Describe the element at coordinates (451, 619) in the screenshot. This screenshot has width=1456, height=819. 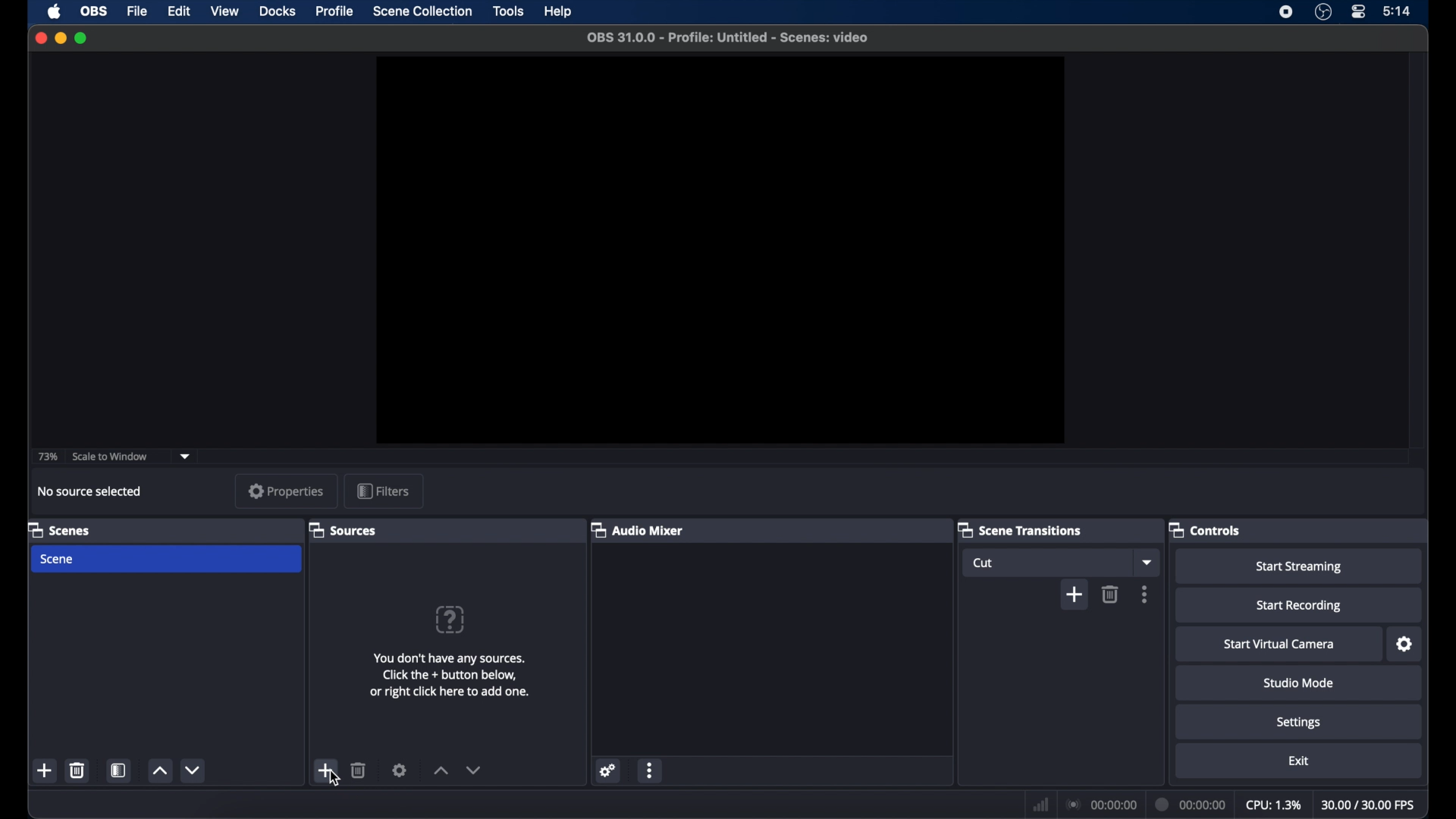
I see `question mark` at that location.